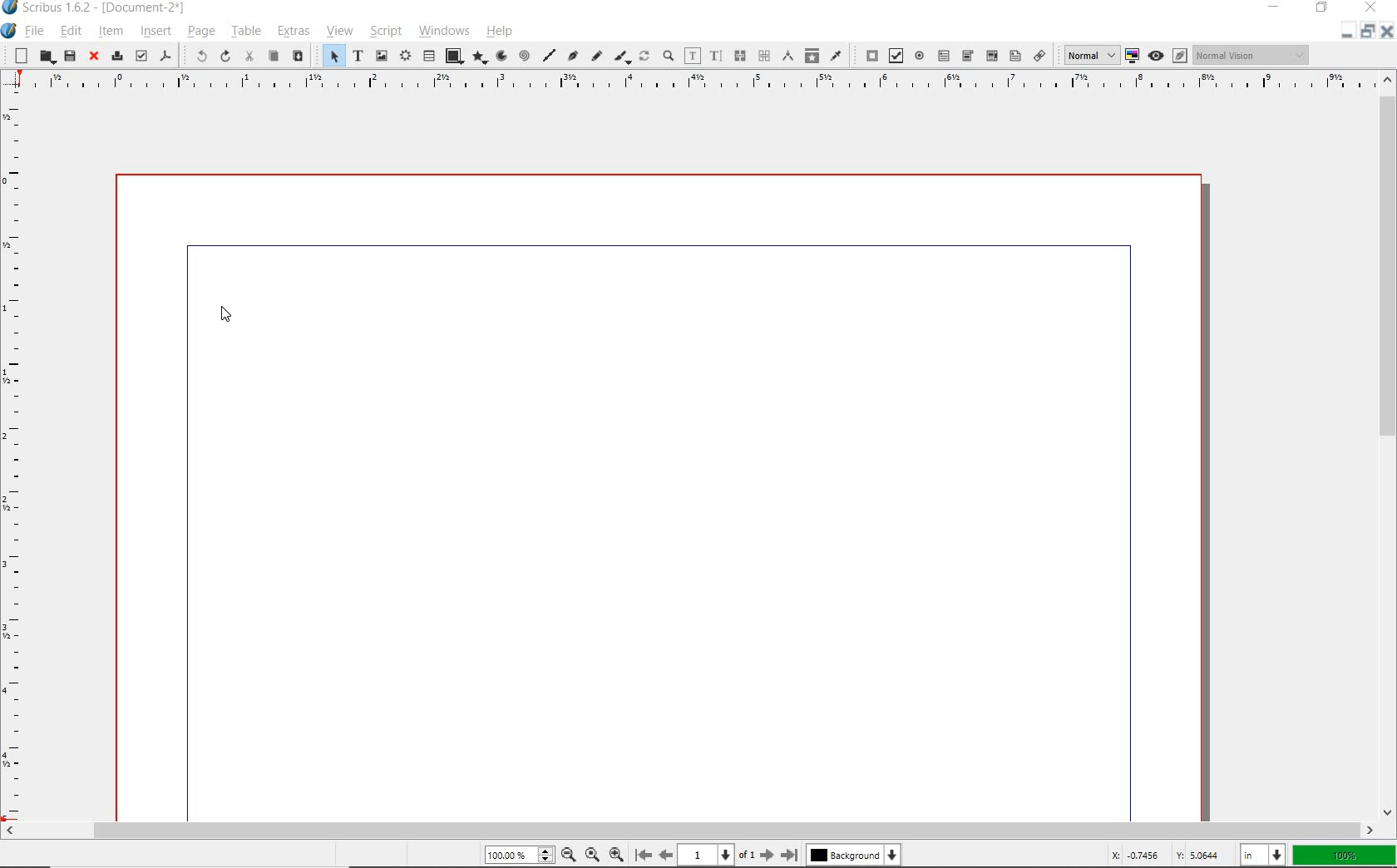  Describe the element at coordinates (1164, 856) in the screenshot. I see `coordinates` at that location.